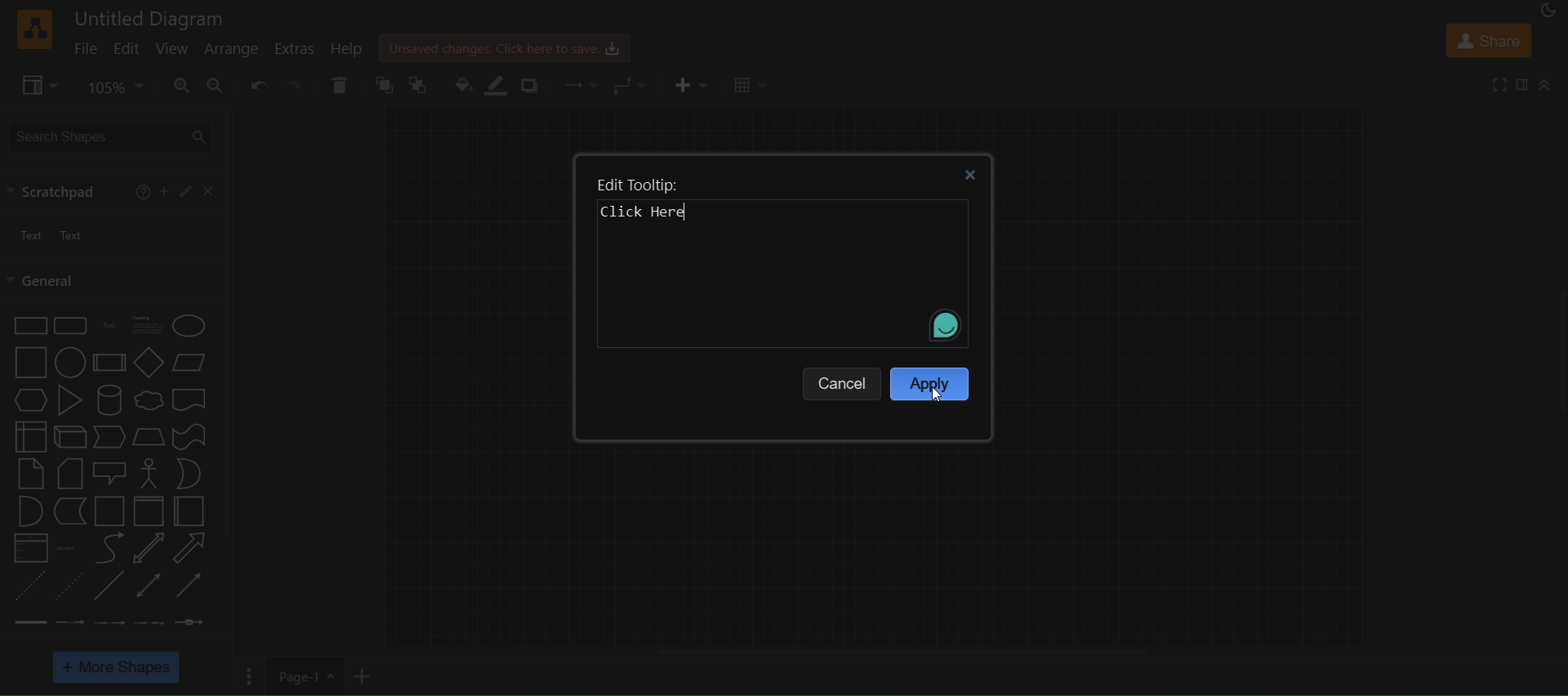 The height and width of the screenshot is (696, 1568). I want to click on cursor, so click(939, 396).